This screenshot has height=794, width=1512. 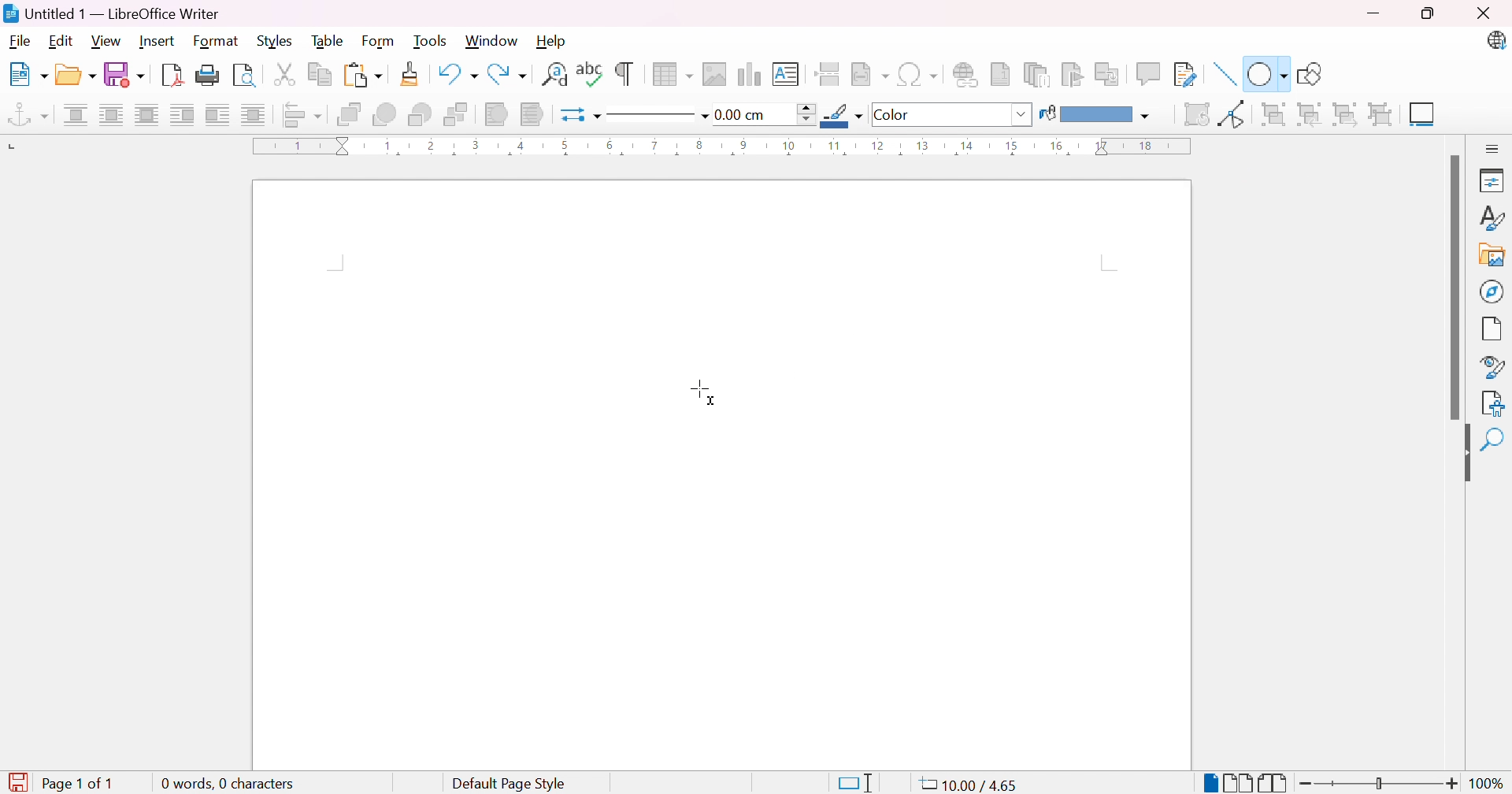 I want to click on Show track changes fuctions, so click(x=1185, y=76).